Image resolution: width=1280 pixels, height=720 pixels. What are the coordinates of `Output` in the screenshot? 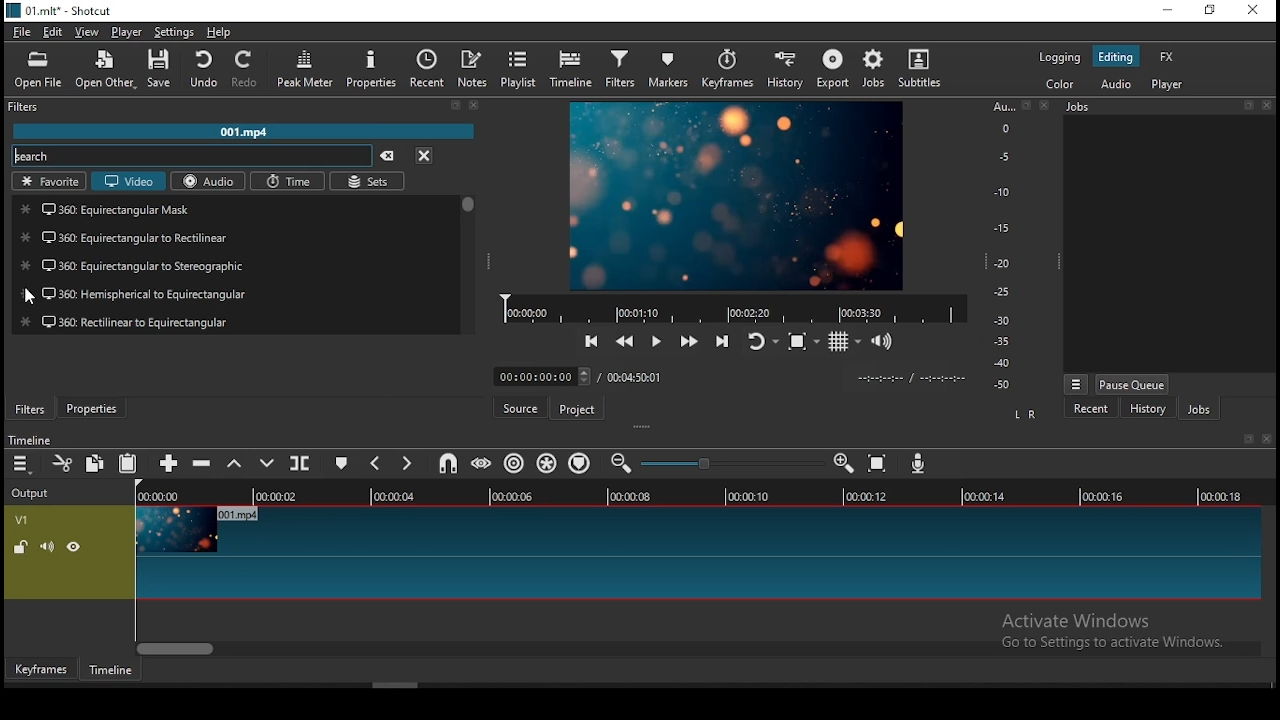 It's located at (36, 493).